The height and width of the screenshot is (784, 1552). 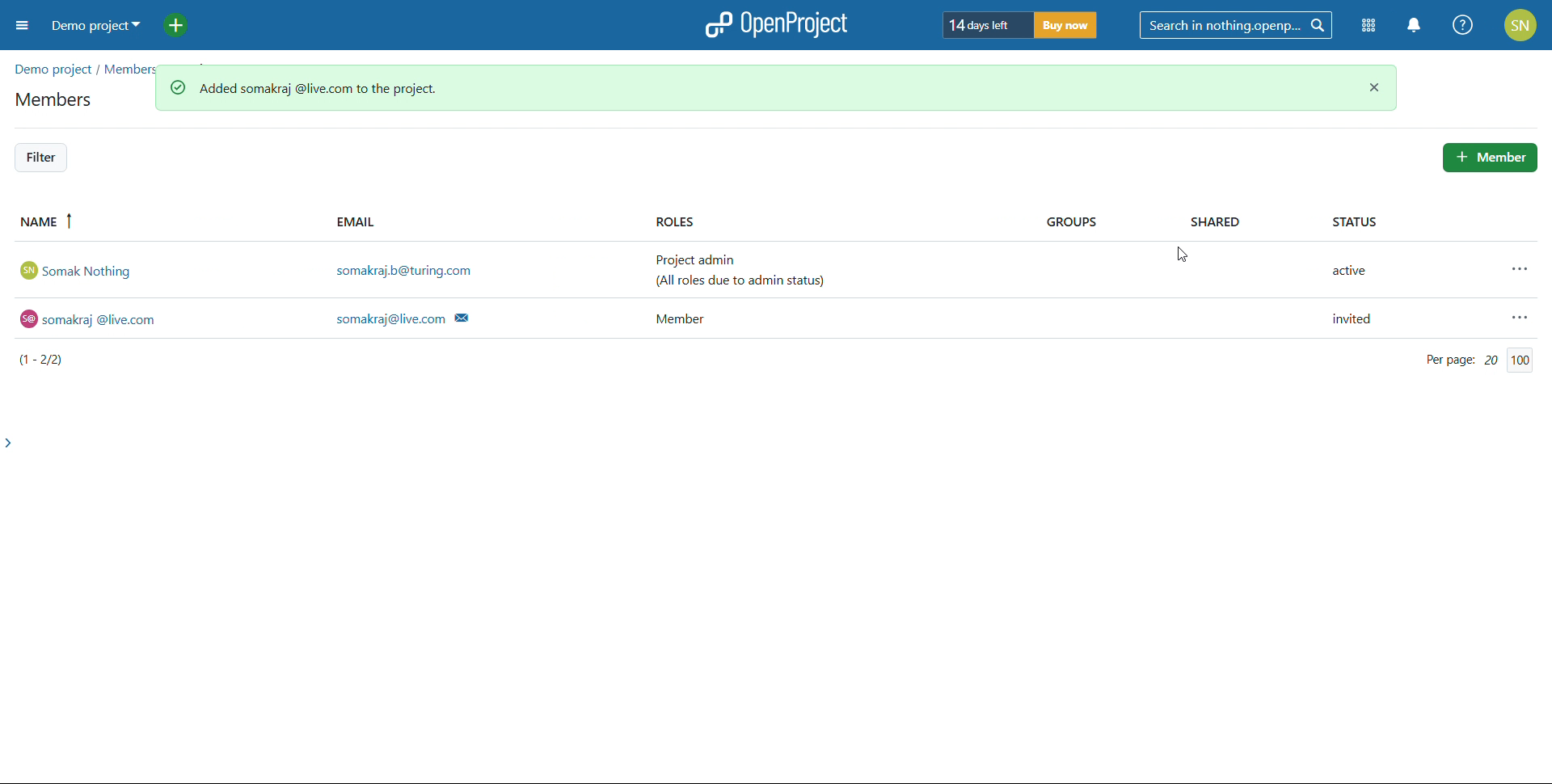 What do you see at coordinates (987, 24) in the screenshot?
I see `days left of trial` at bounding box center [987, 24].